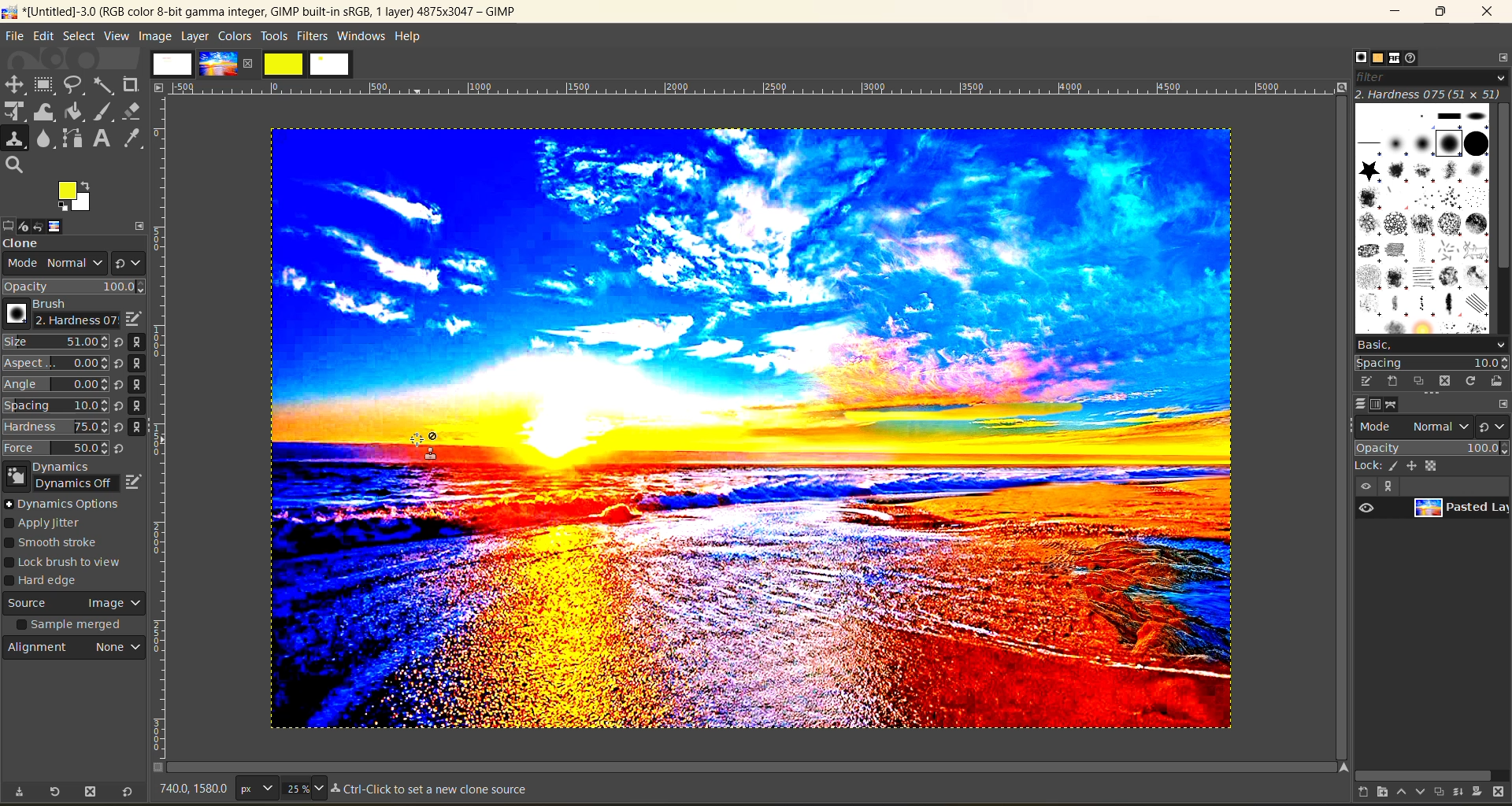 This screenshot has width=1512, height=806. What do you see at coordinates (91, 793) in the screenshot?
I see `delete tool preset` at bounding box center [91, 793].